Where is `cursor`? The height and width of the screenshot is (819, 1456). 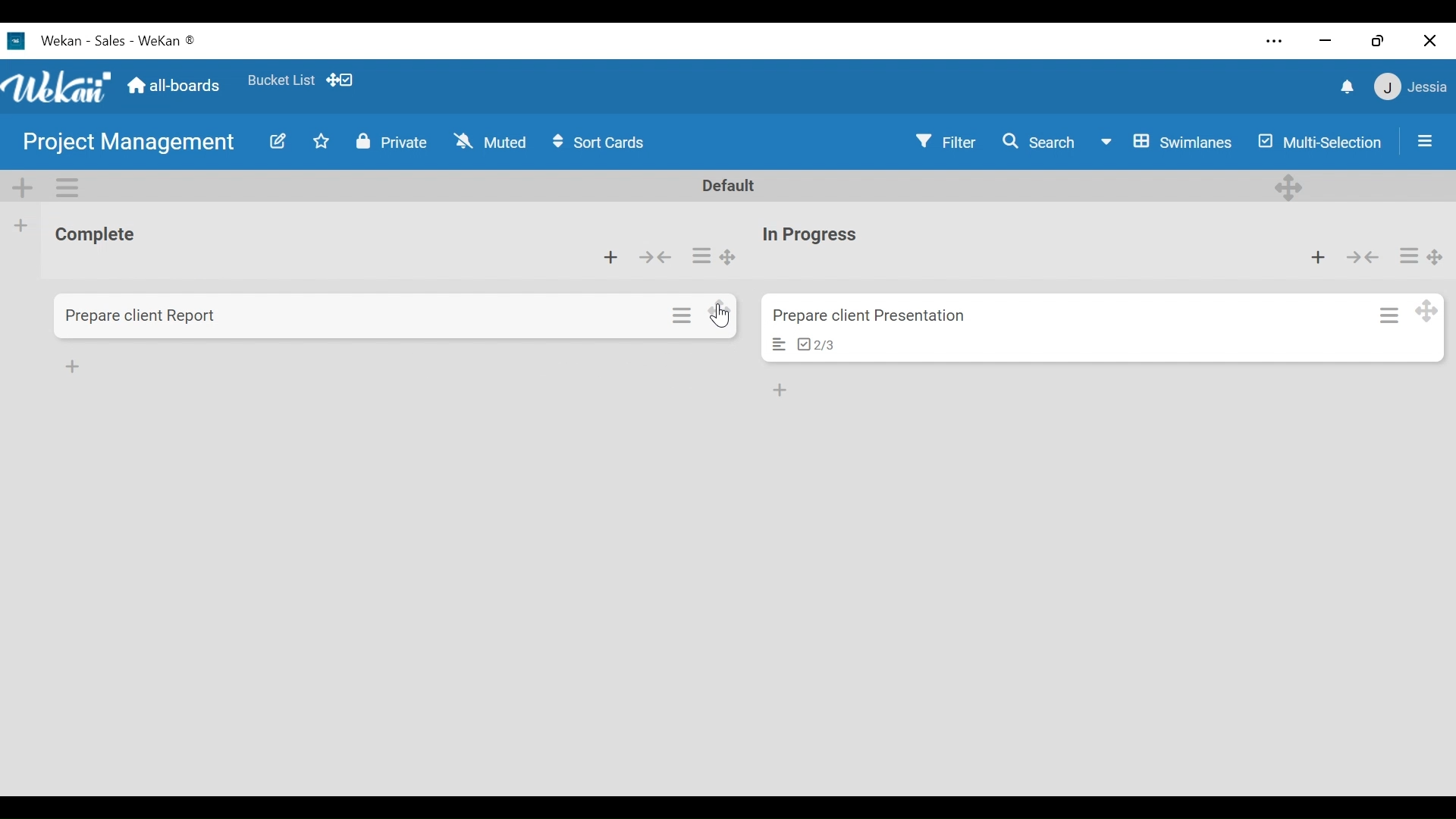
cursor is located at coordinates (726, 318).